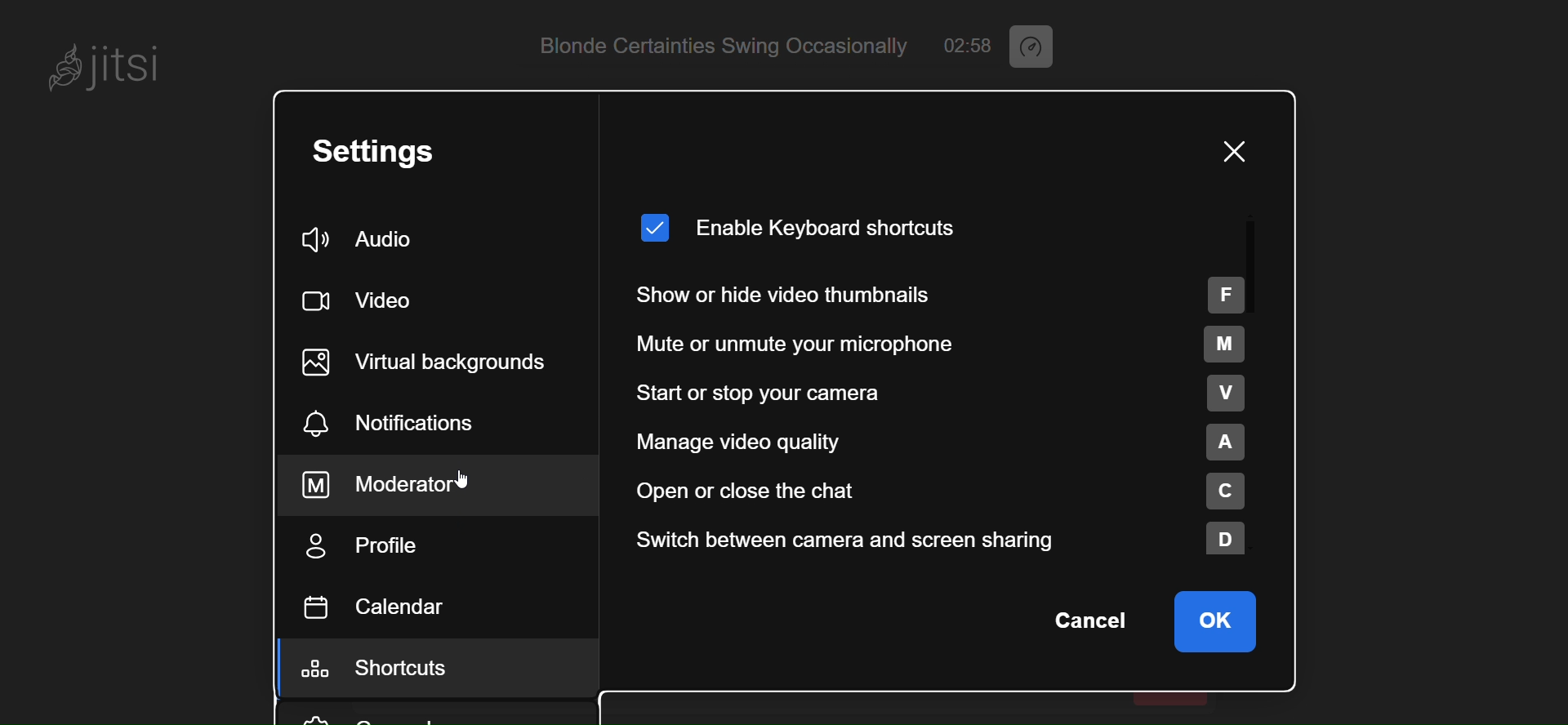  What do you see at coordinates (938, 440) in the screenshot?
I see `manage video quality` at bounding box center [938, 440].